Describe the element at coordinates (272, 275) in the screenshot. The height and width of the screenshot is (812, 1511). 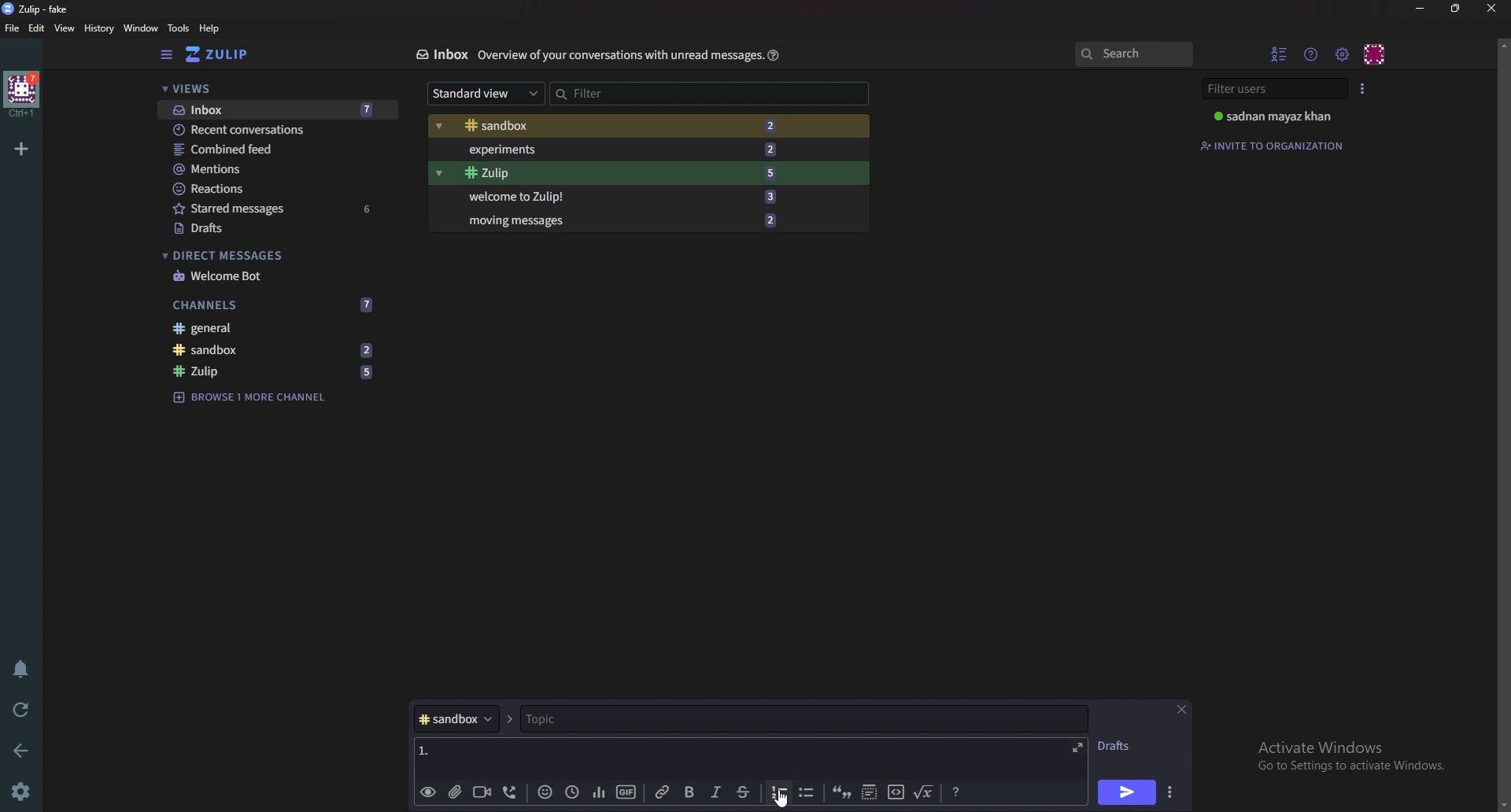
I see `welcome bot` at that location.